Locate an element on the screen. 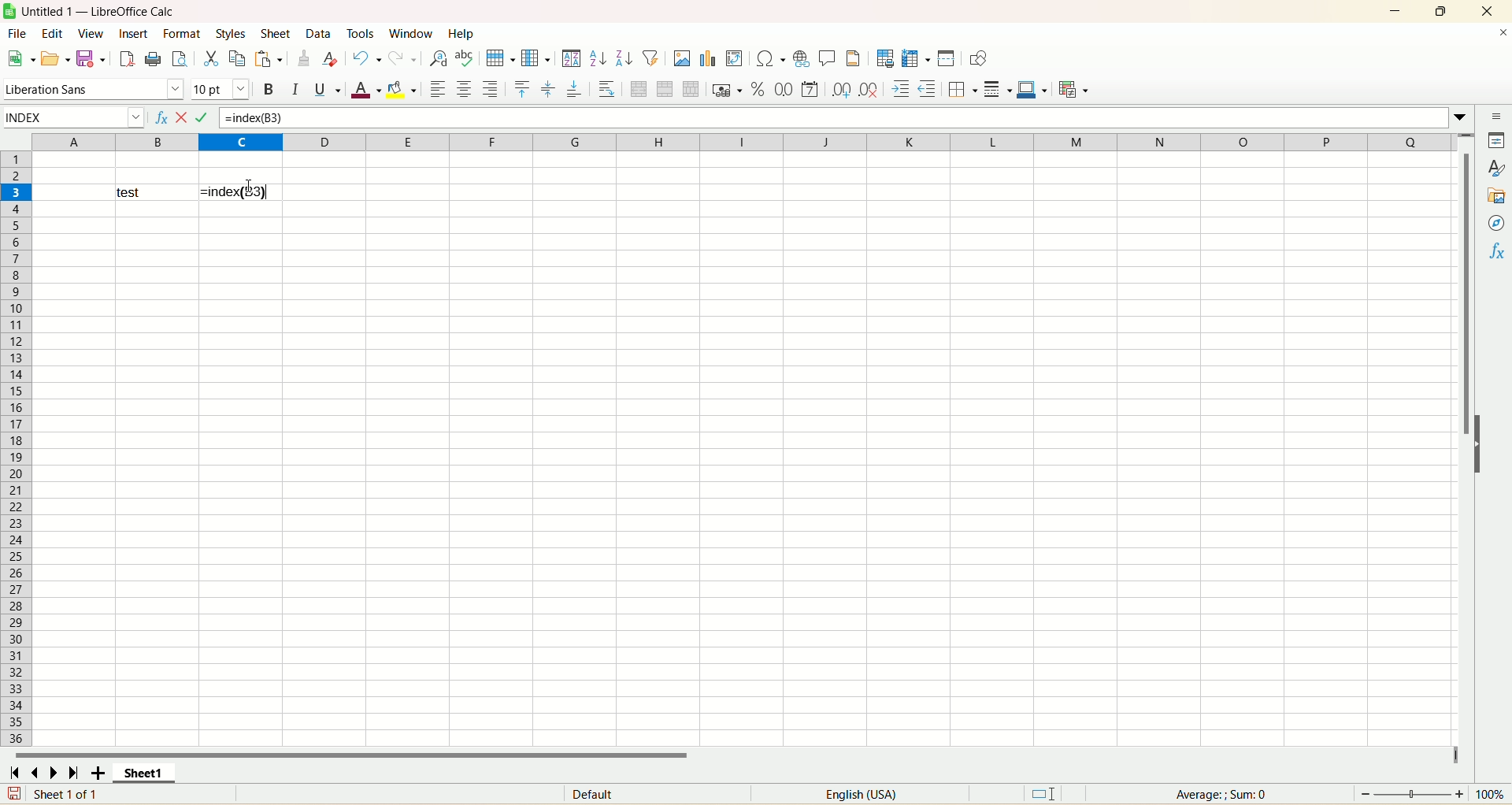 The width and height of the screenshot is (1512, 805). insert image is located at coordinates (682, 58).